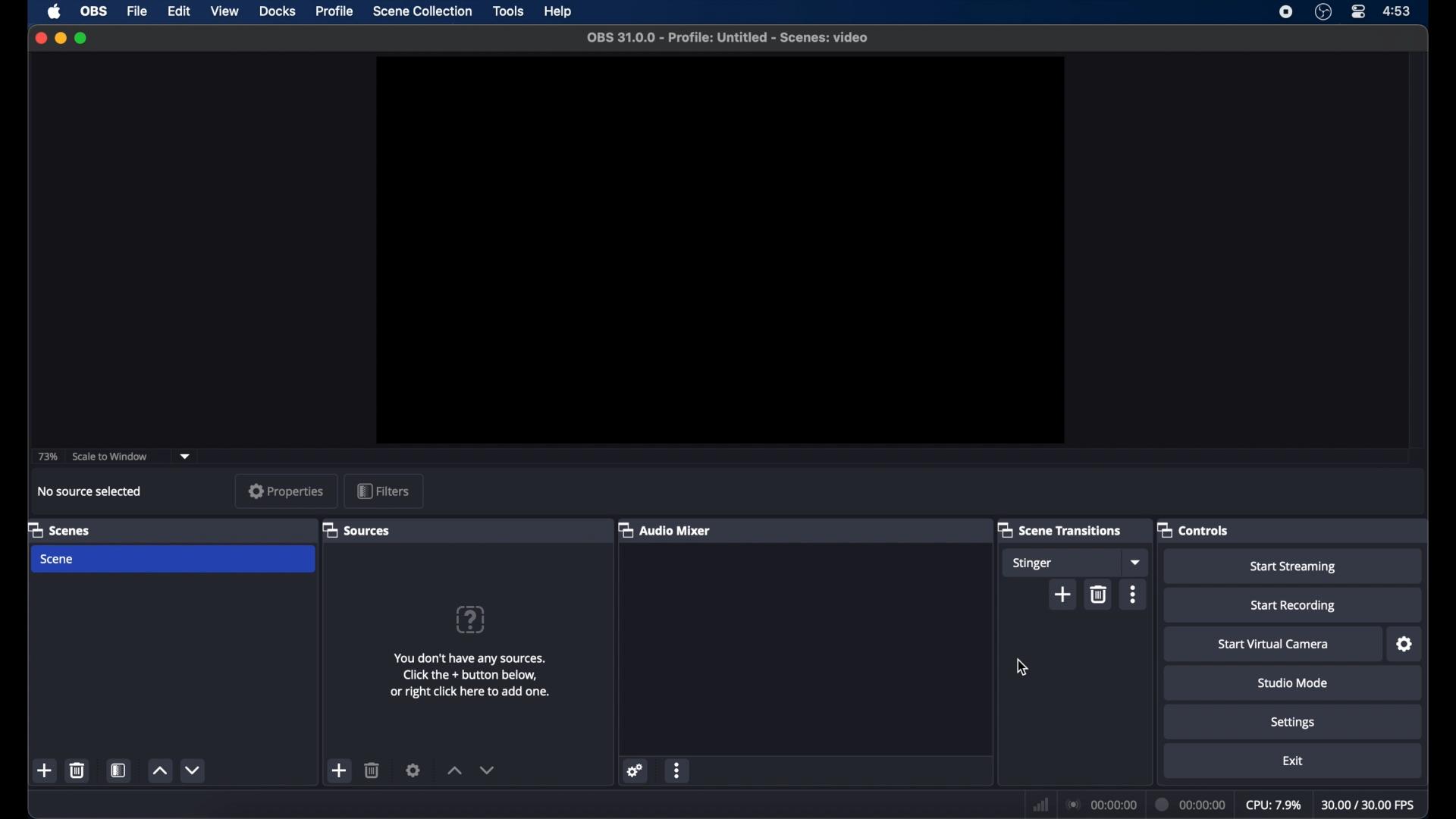  Describe the element at coordinates (1296, 567) in the screenshot. I see `start streaming` at that location.